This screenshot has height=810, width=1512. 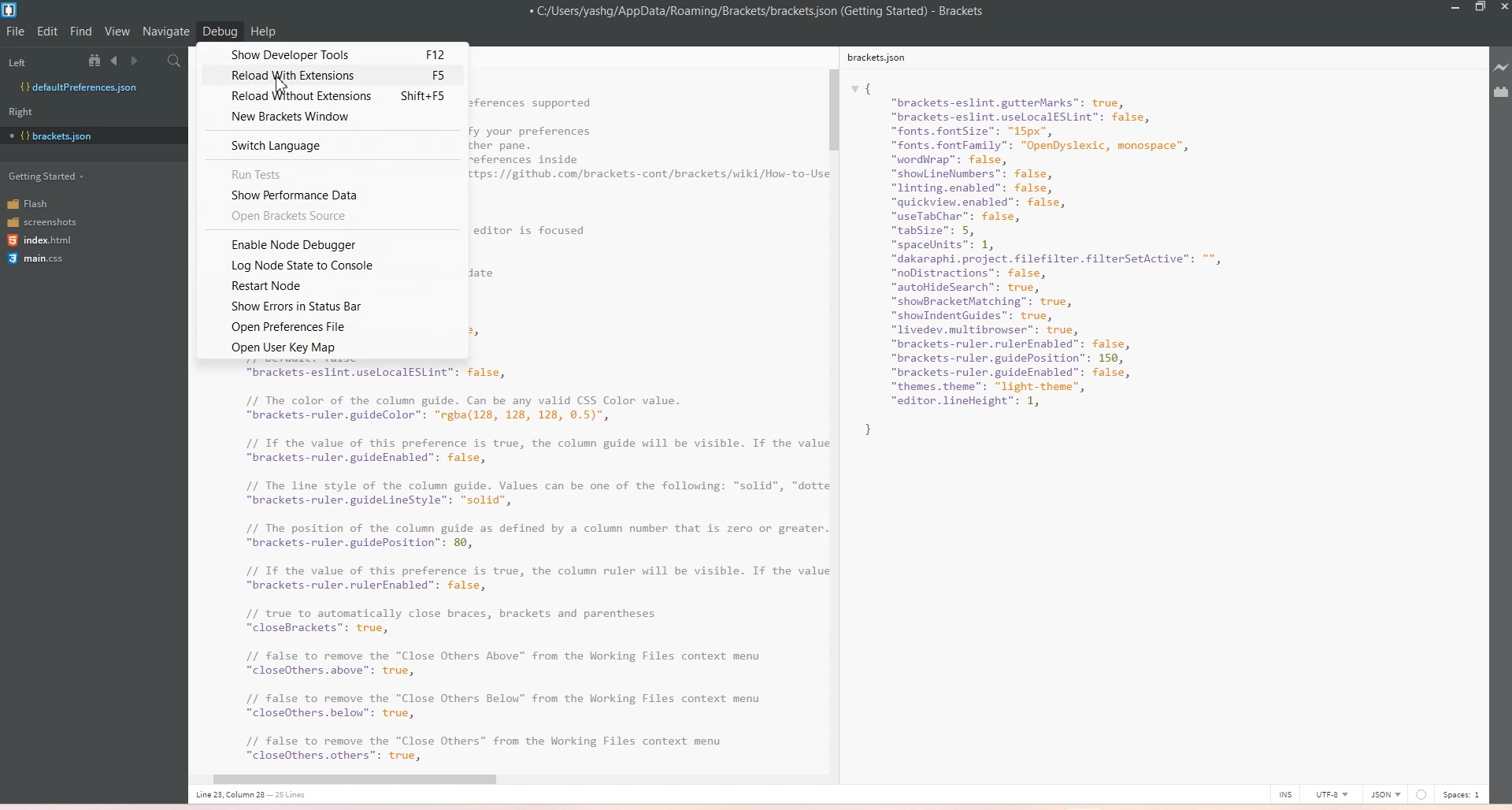 I want to click on Open preferences file, so click(x=331, y=327).